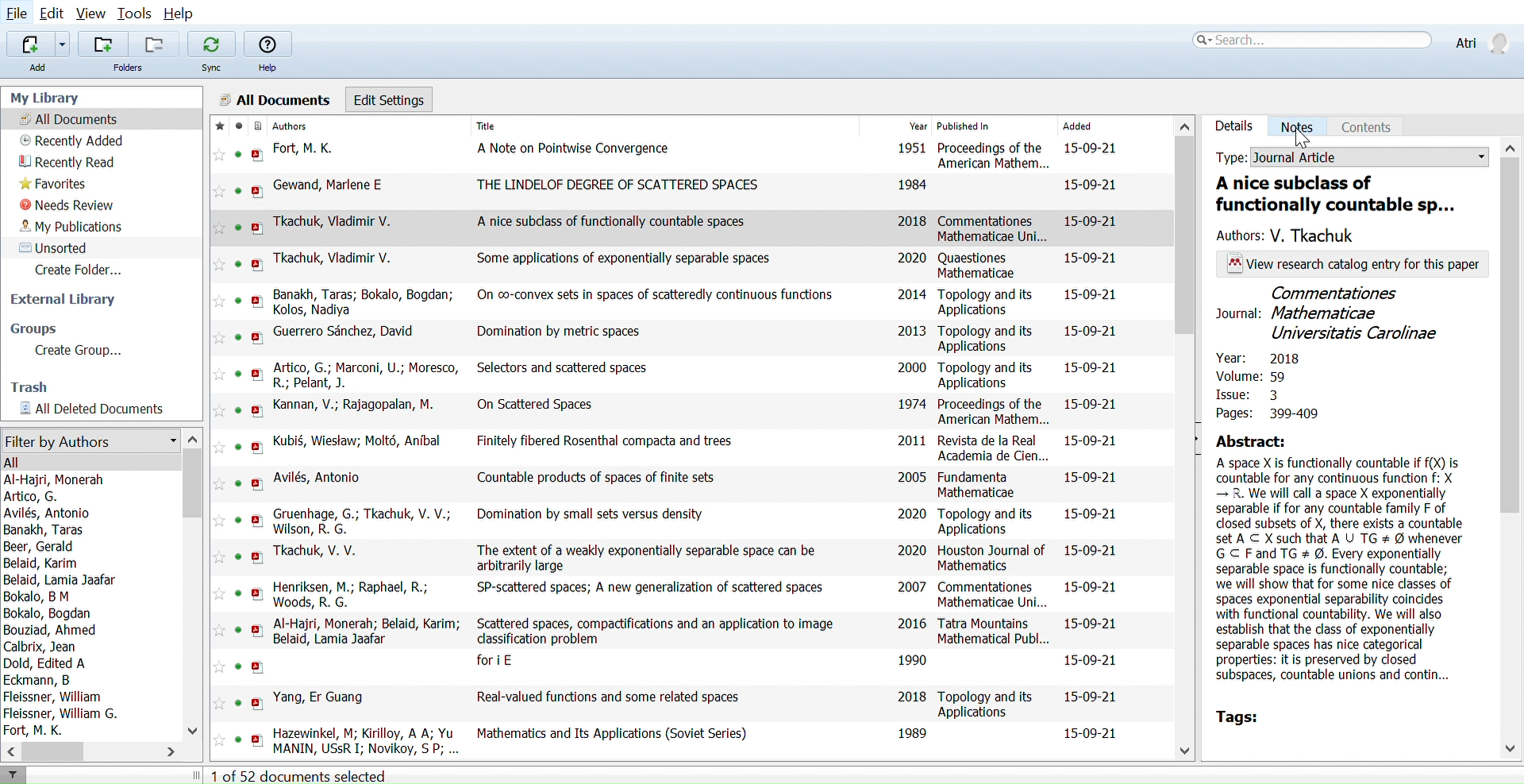  What do you see at coordinates (56, 184) in the screenshot?
I see `Favorites` at bounding box center [56, 184].